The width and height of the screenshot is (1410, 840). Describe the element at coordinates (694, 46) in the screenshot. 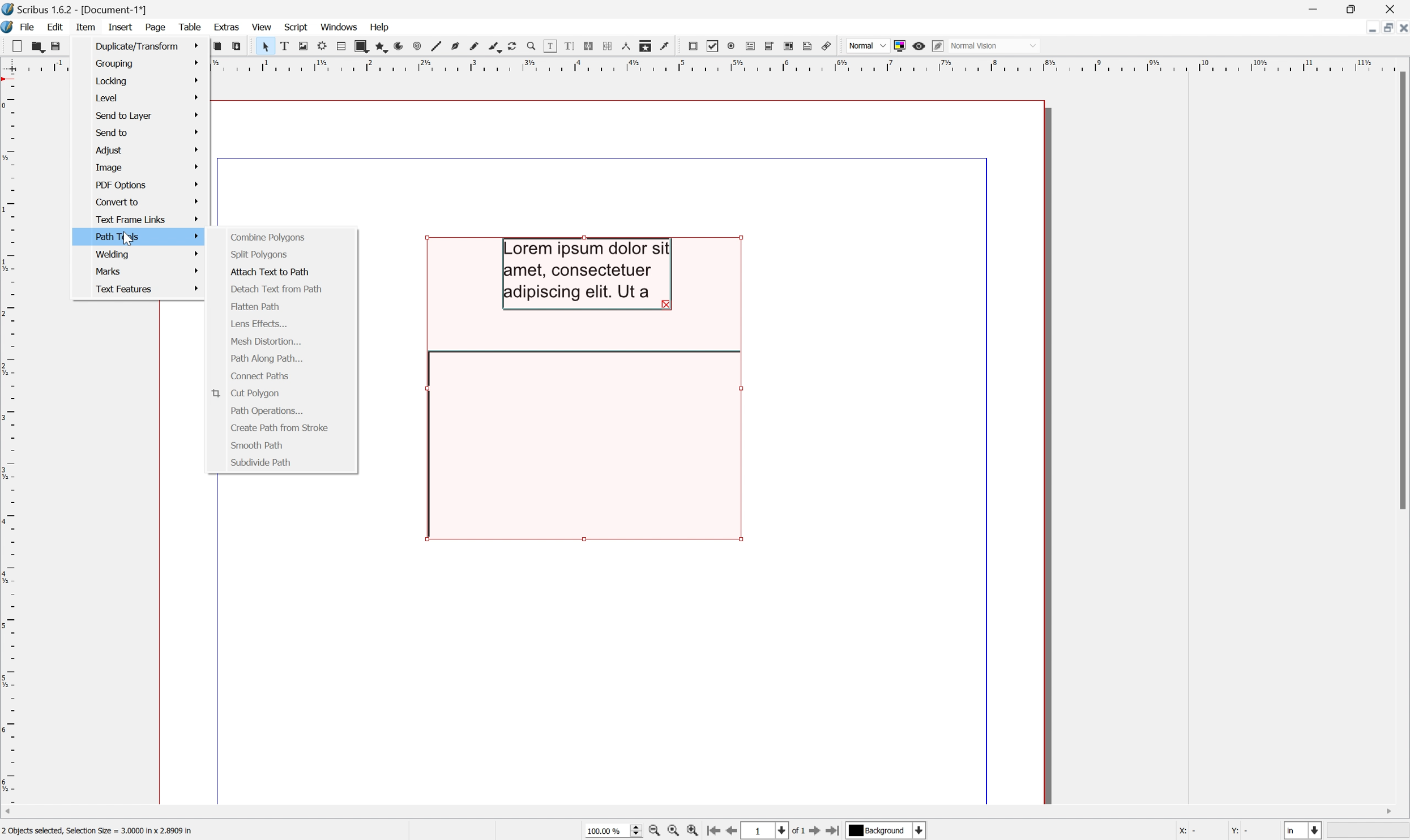

I see `PDF push button` at that location.